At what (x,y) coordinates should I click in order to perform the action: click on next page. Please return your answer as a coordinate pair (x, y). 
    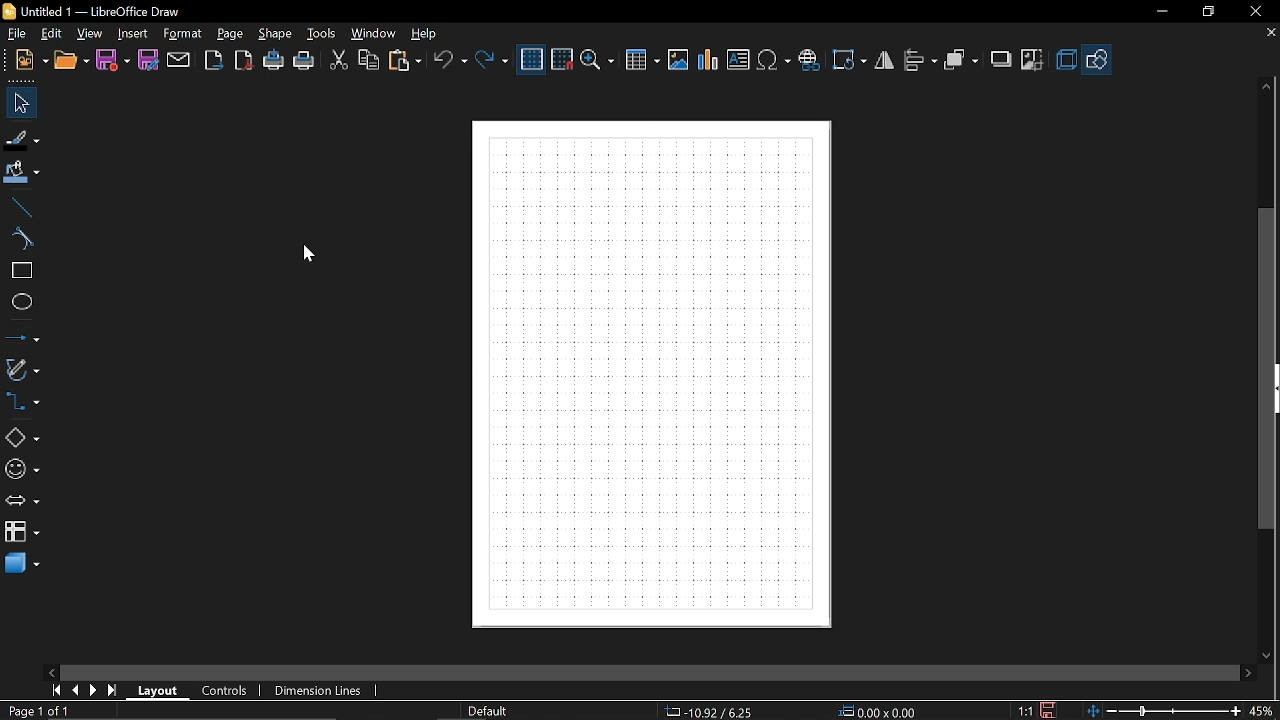
    Looking at the image, I should click on (94, 692).